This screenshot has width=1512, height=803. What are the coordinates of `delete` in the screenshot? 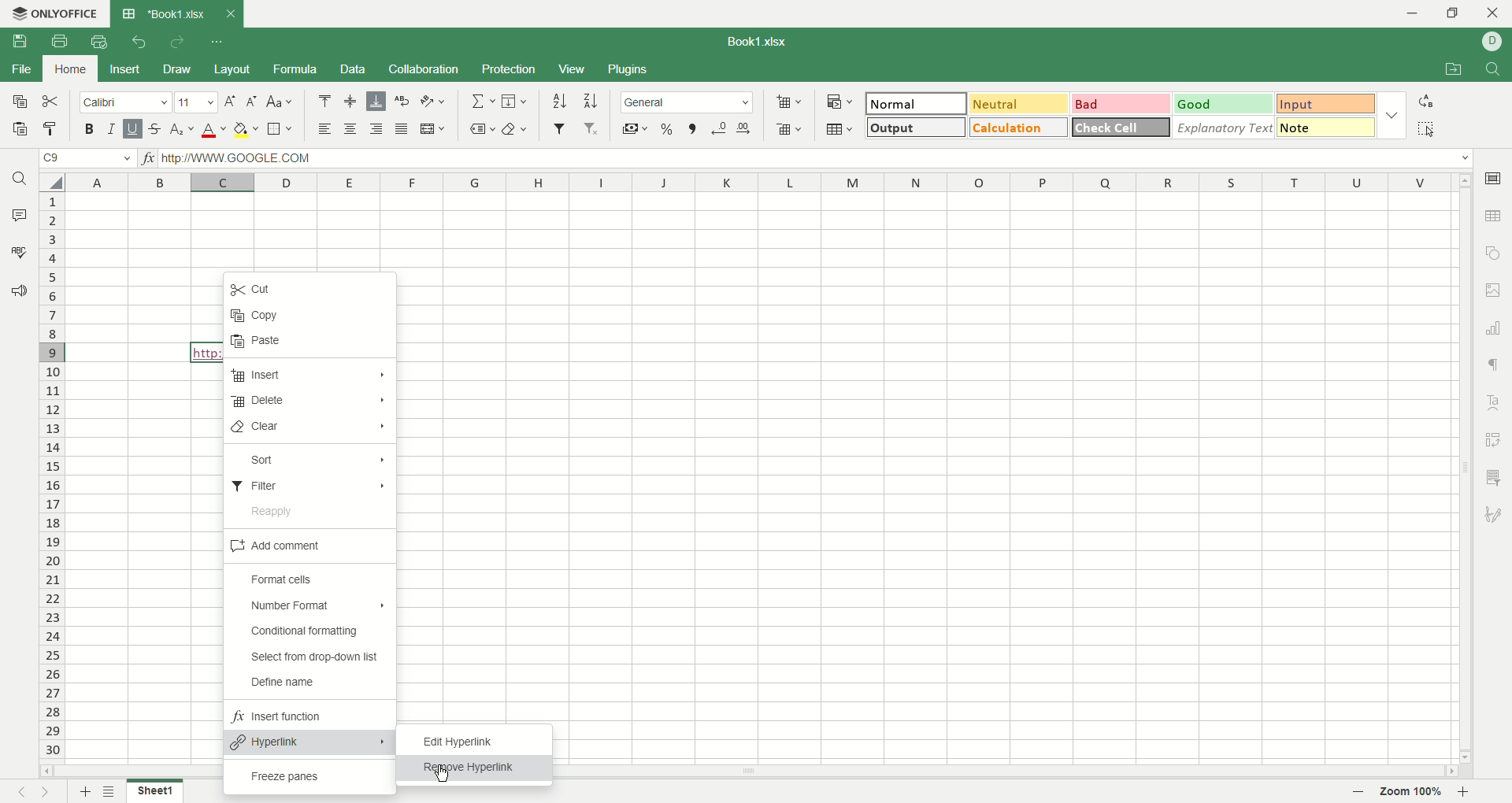 It's located at (310, 400).